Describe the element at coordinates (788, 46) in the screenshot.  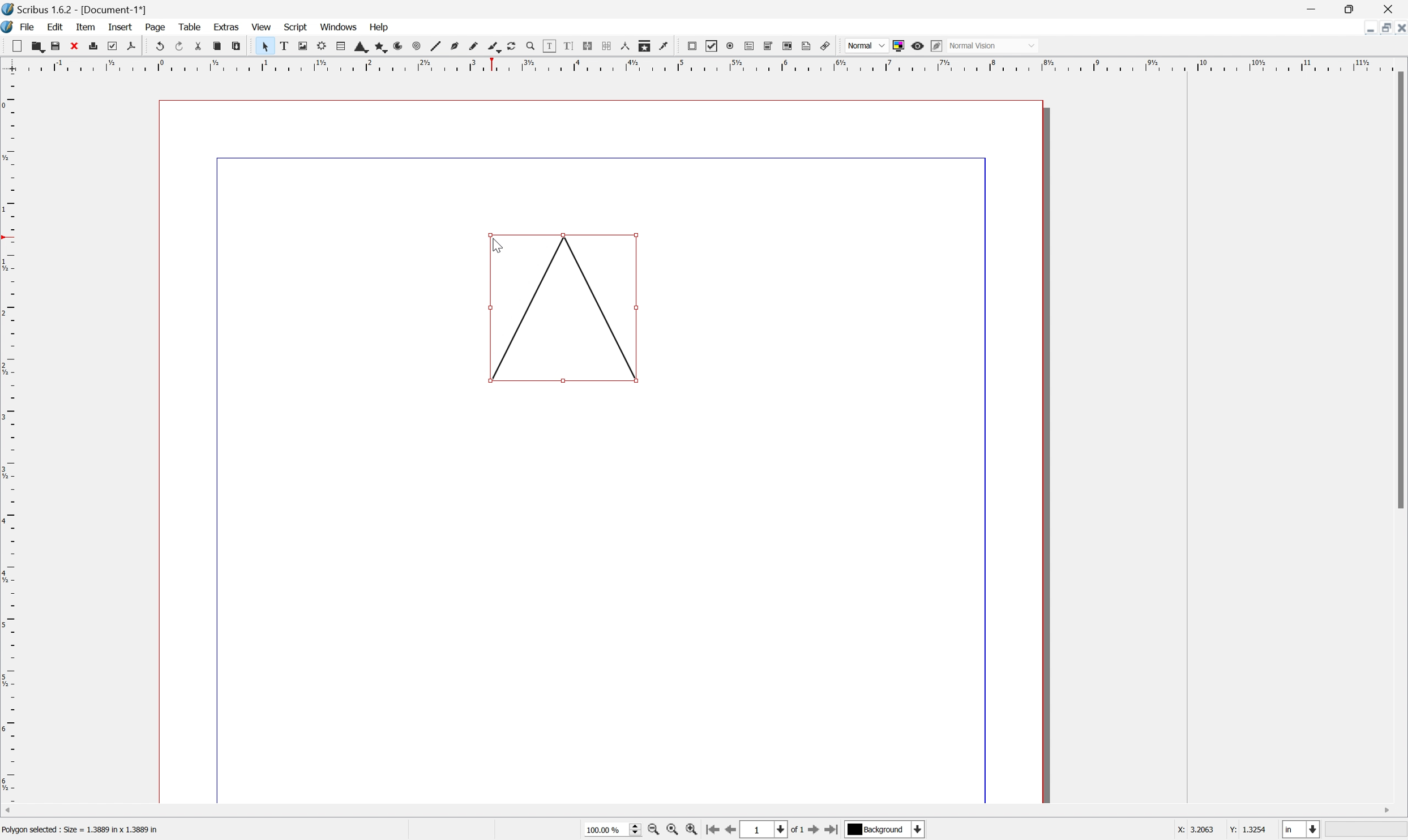
I see `PDF list box` at that location.